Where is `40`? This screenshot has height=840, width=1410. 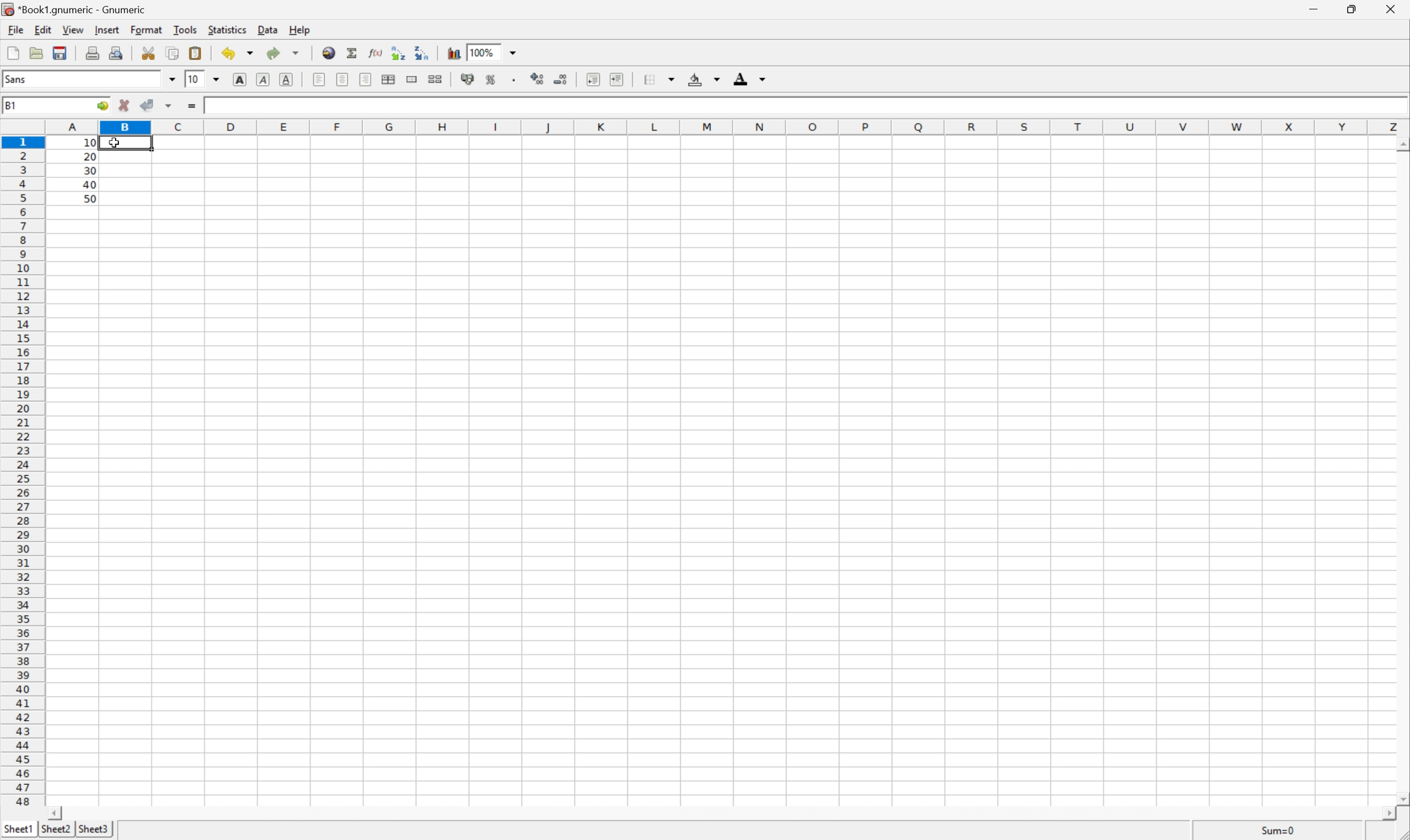 40 is located at coordinates (89, 184).